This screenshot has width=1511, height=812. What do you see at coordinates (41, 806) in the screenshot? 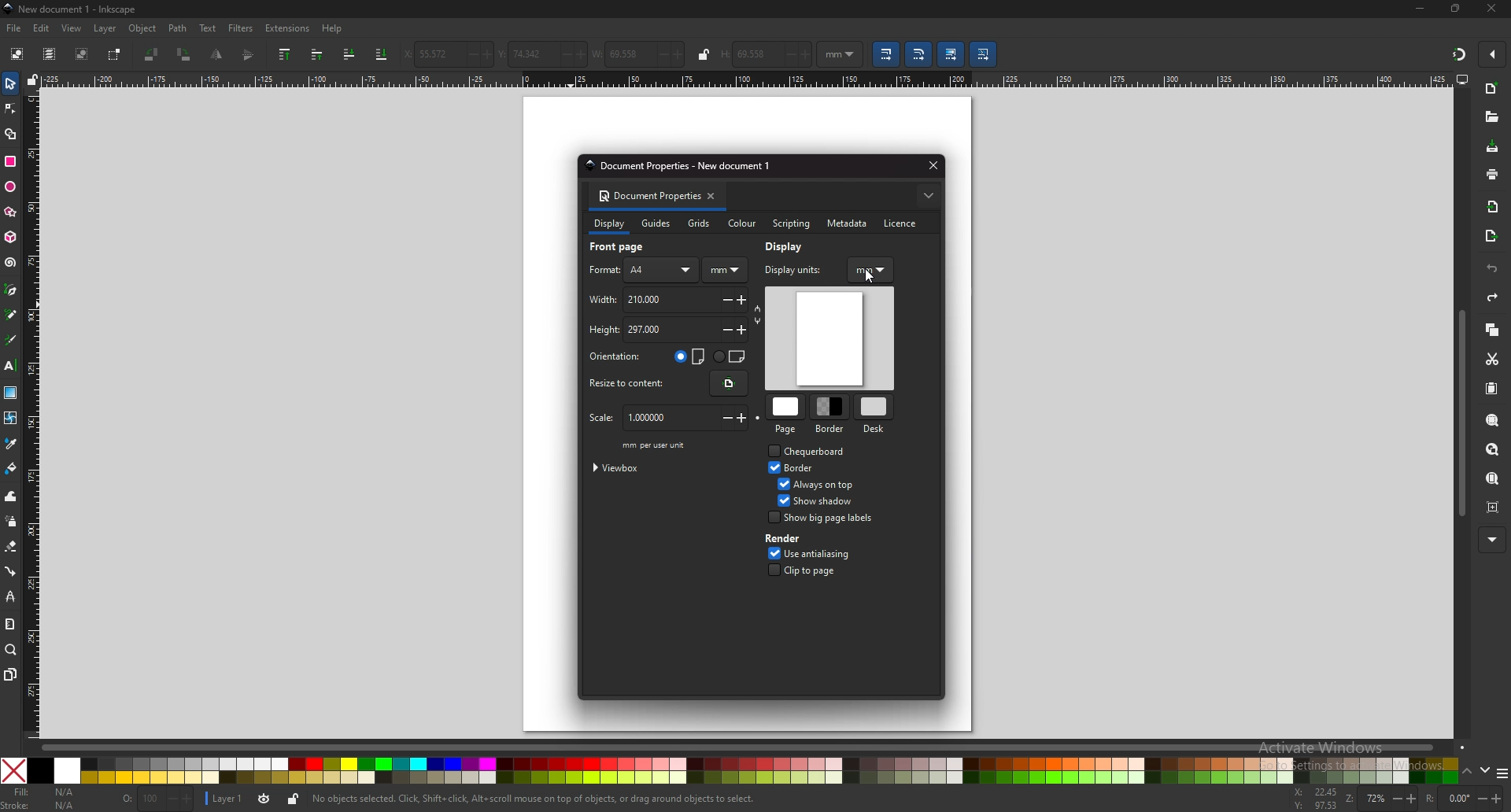
I see `Stroke` at bounding box center [41, 806].